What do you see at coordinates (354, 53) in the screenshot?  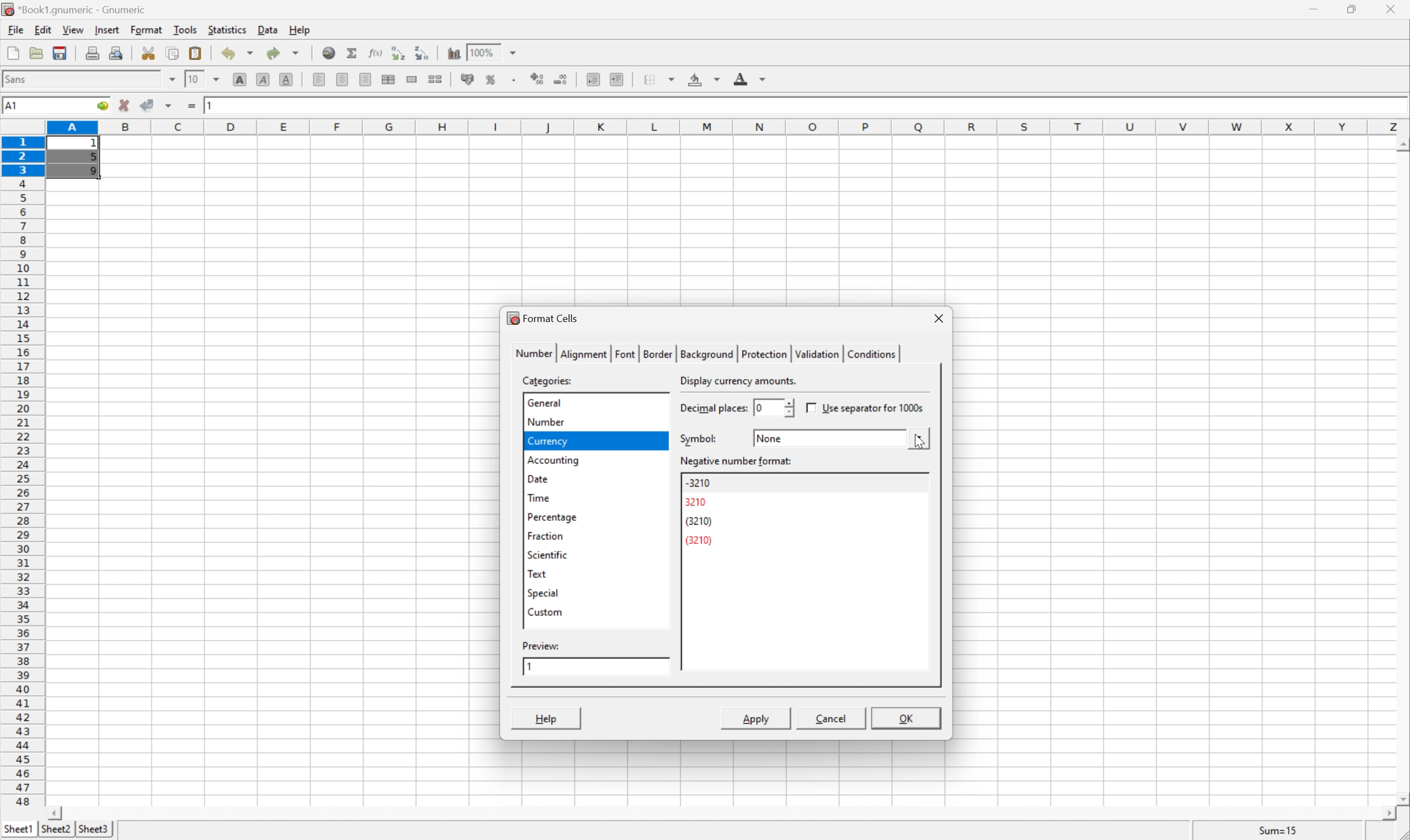 I see `sum in current cell` at bounding box center [354, 53].